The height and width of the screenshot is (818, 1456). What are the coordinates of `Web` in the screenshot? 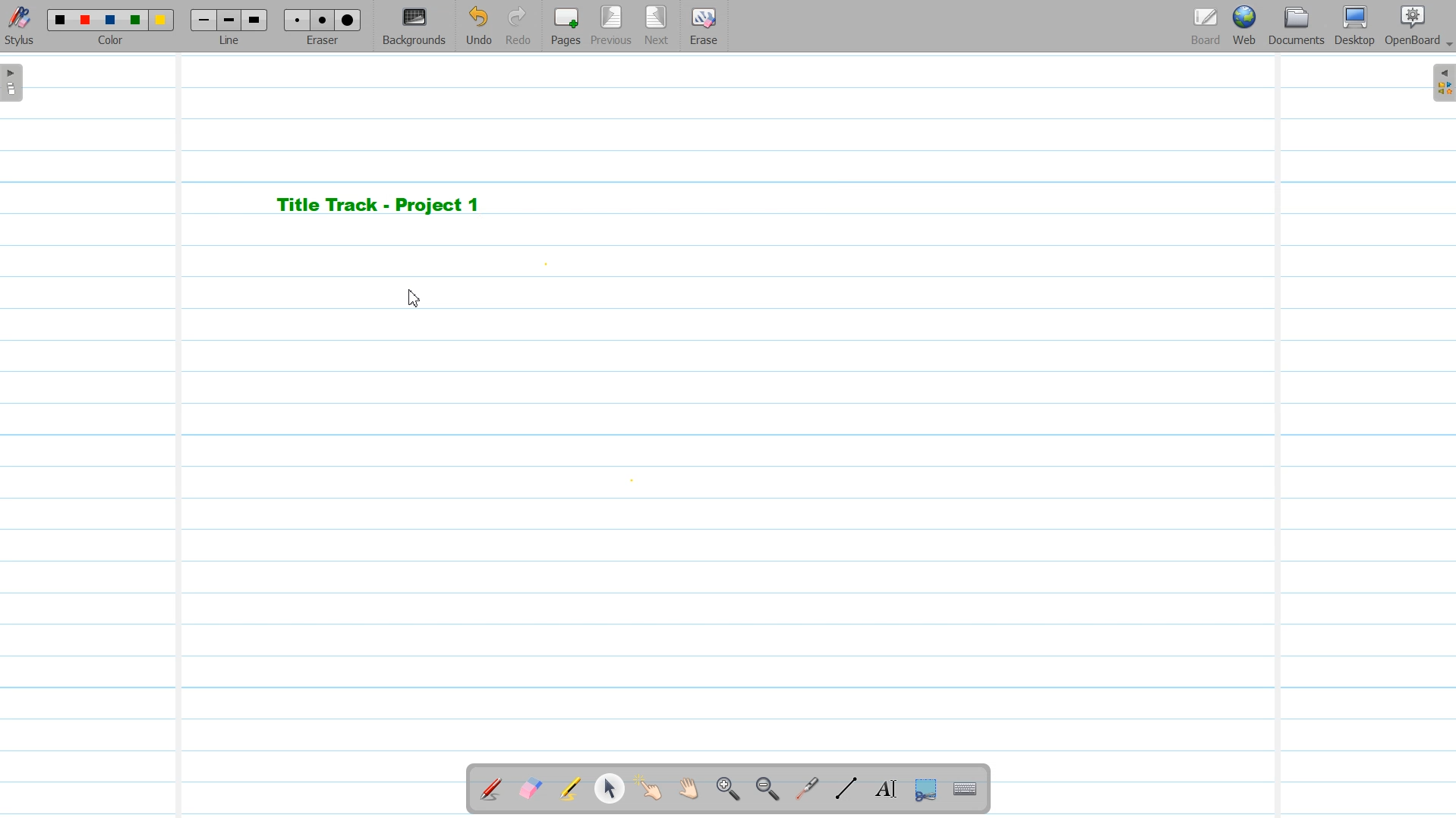 It's located at (1246, 27).